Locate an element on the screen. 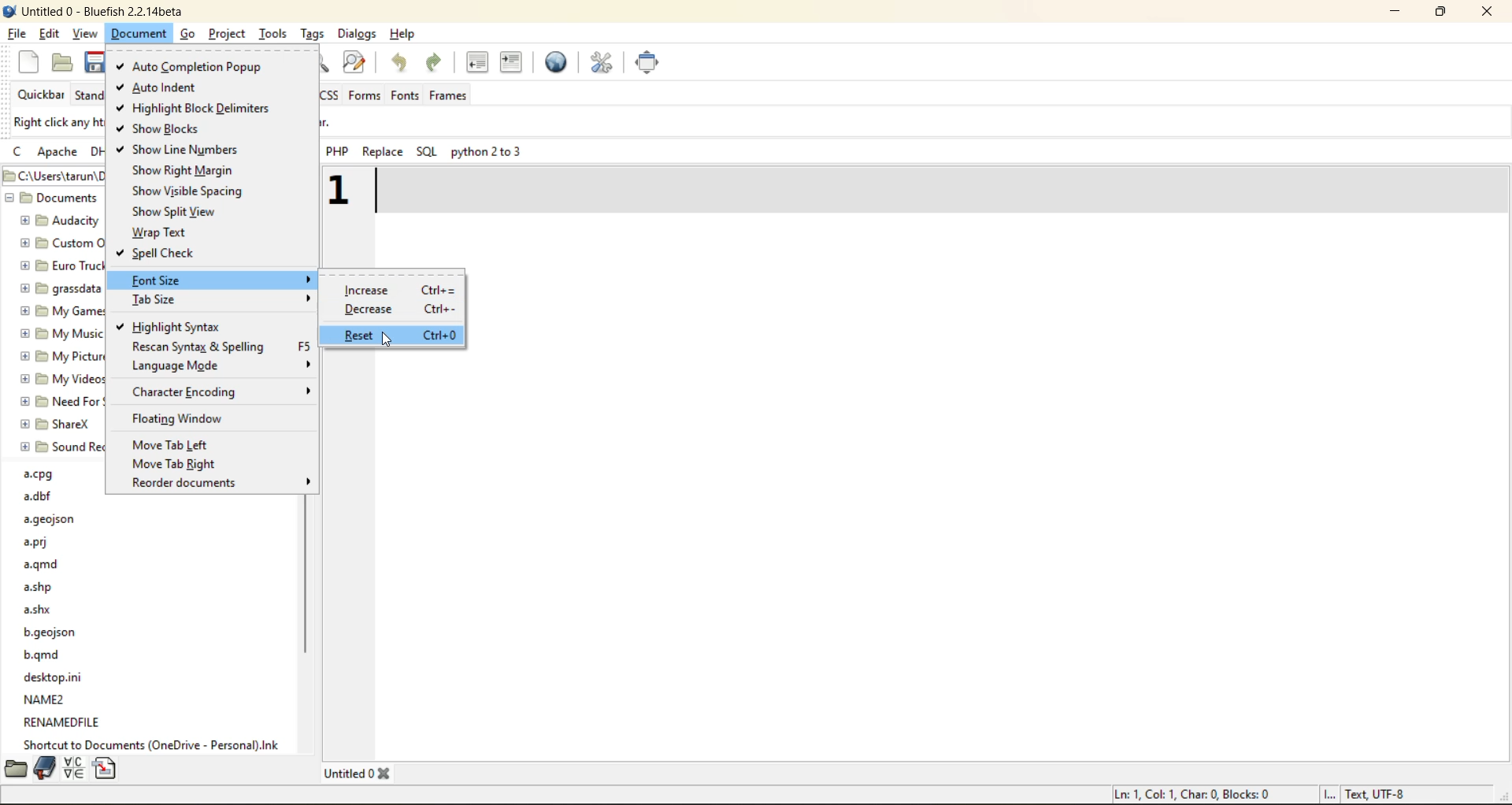 This screenshot has width=1512, height=805. redo is located at coordinates (432, 61).